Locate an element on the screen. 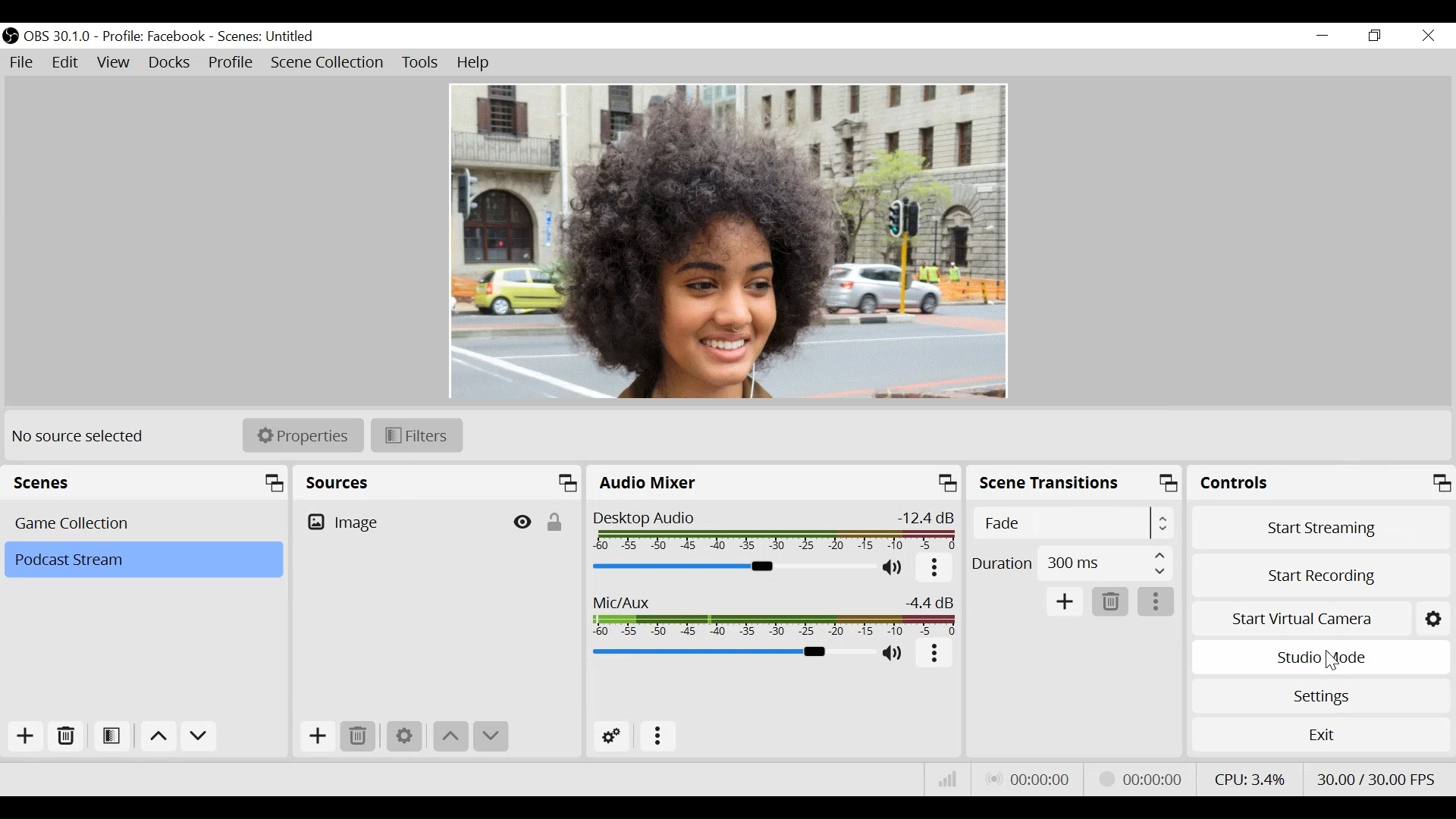 The height and width of the screenshot is (819, 1456). Restore is located at coordinates (1373, 36).